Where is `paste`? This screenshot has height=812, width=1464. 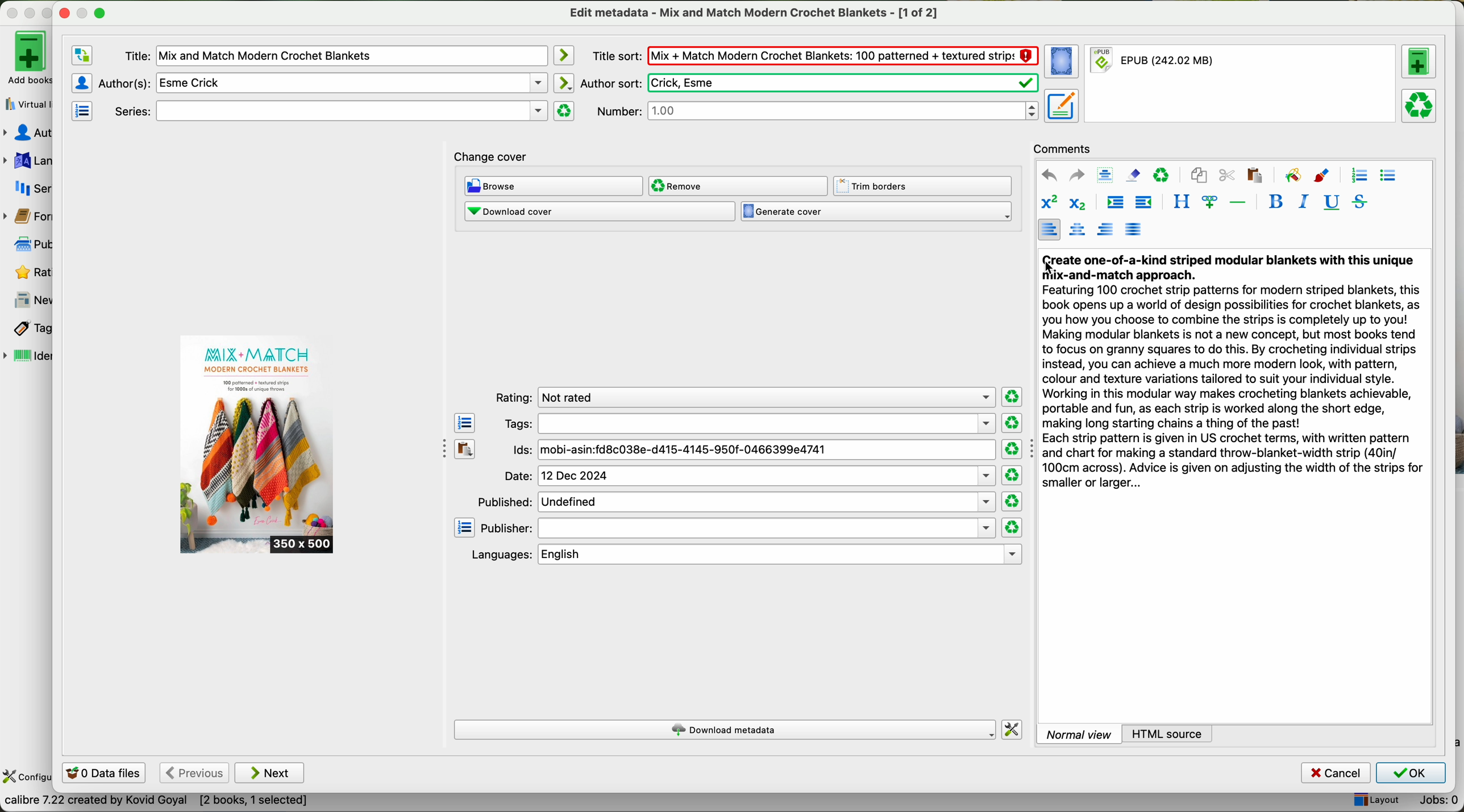
paste is located at coordinates (1253, 174).